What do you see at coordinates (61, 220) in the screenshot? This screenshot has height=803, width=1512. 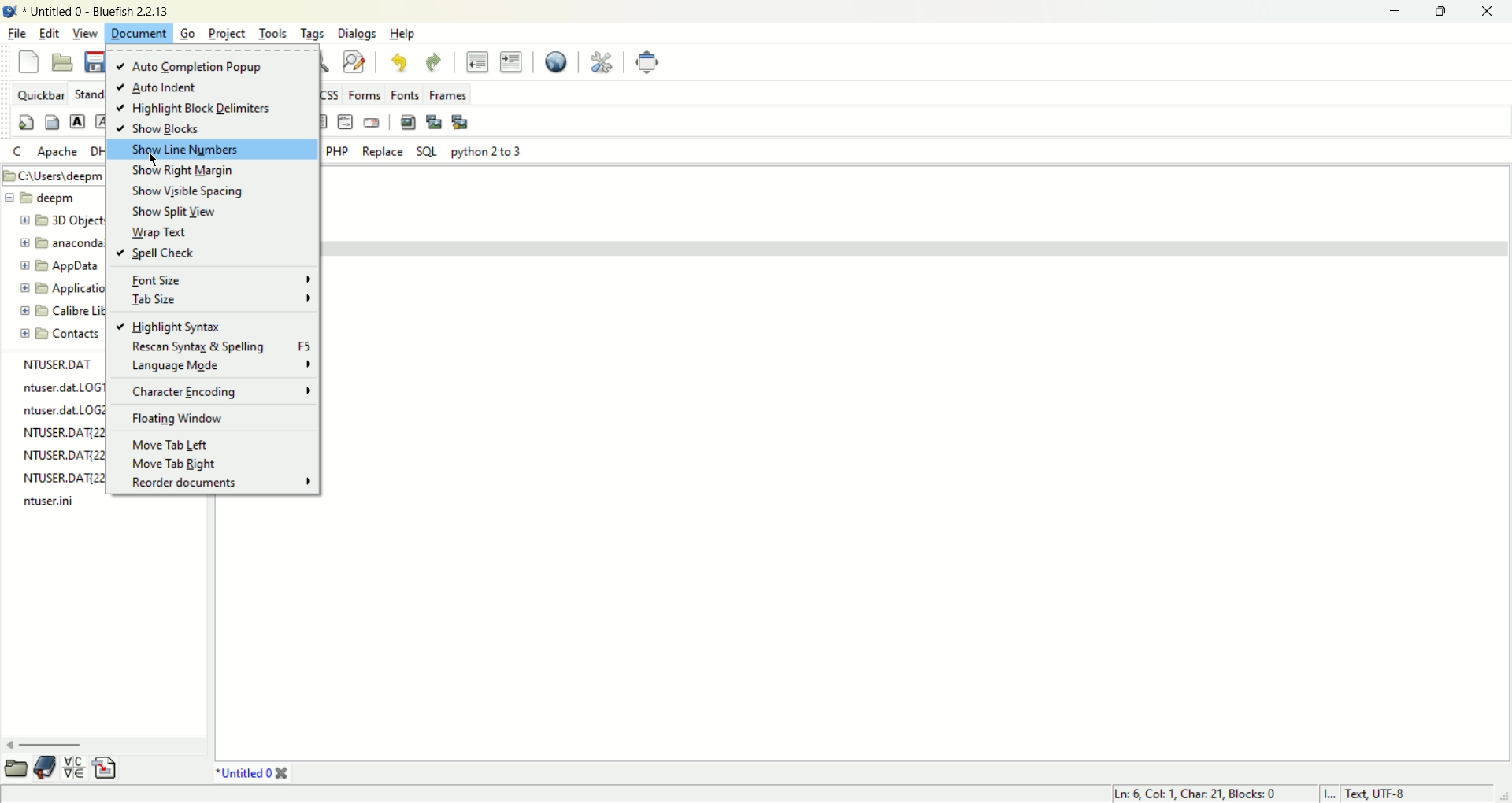 I see `3D object` at bounding box center [61, 220].